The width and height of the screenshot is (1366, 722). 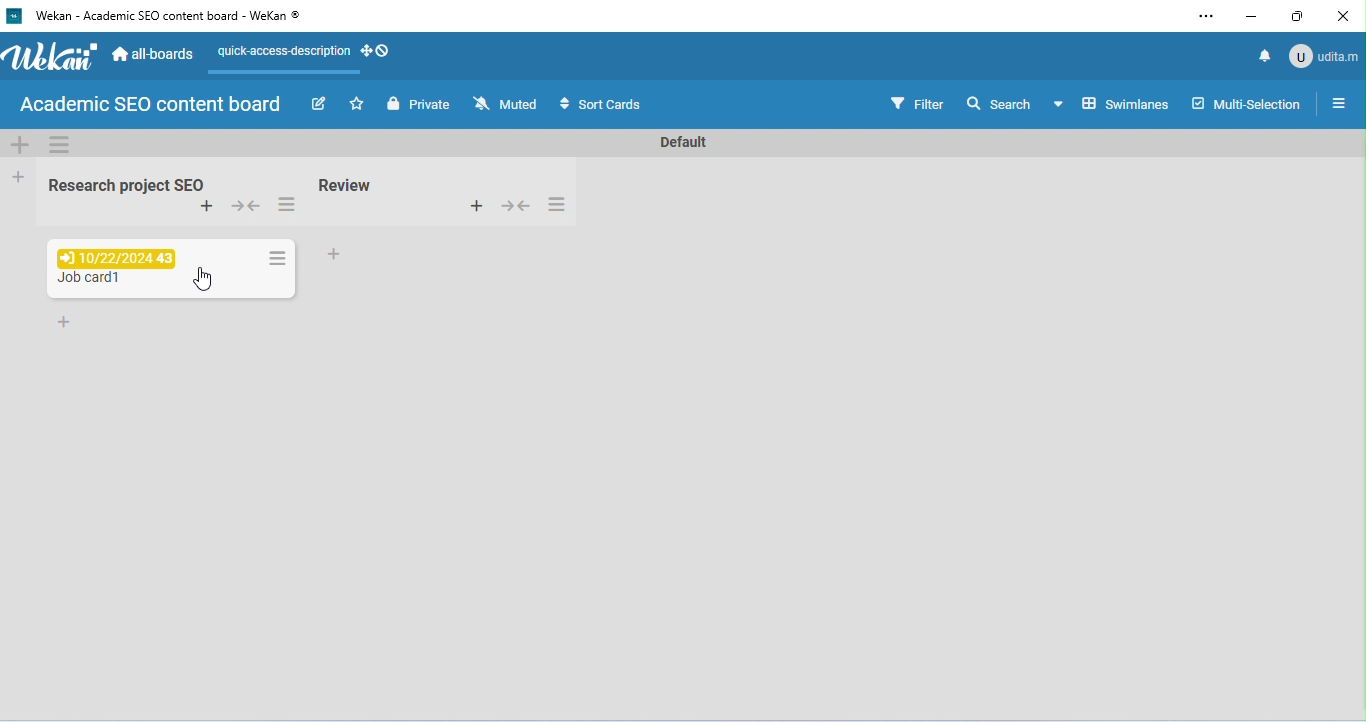 What do you see at coordinates (1299, 16) in the screenshot?
I see `maximize` at bounding box center [1299, 16].